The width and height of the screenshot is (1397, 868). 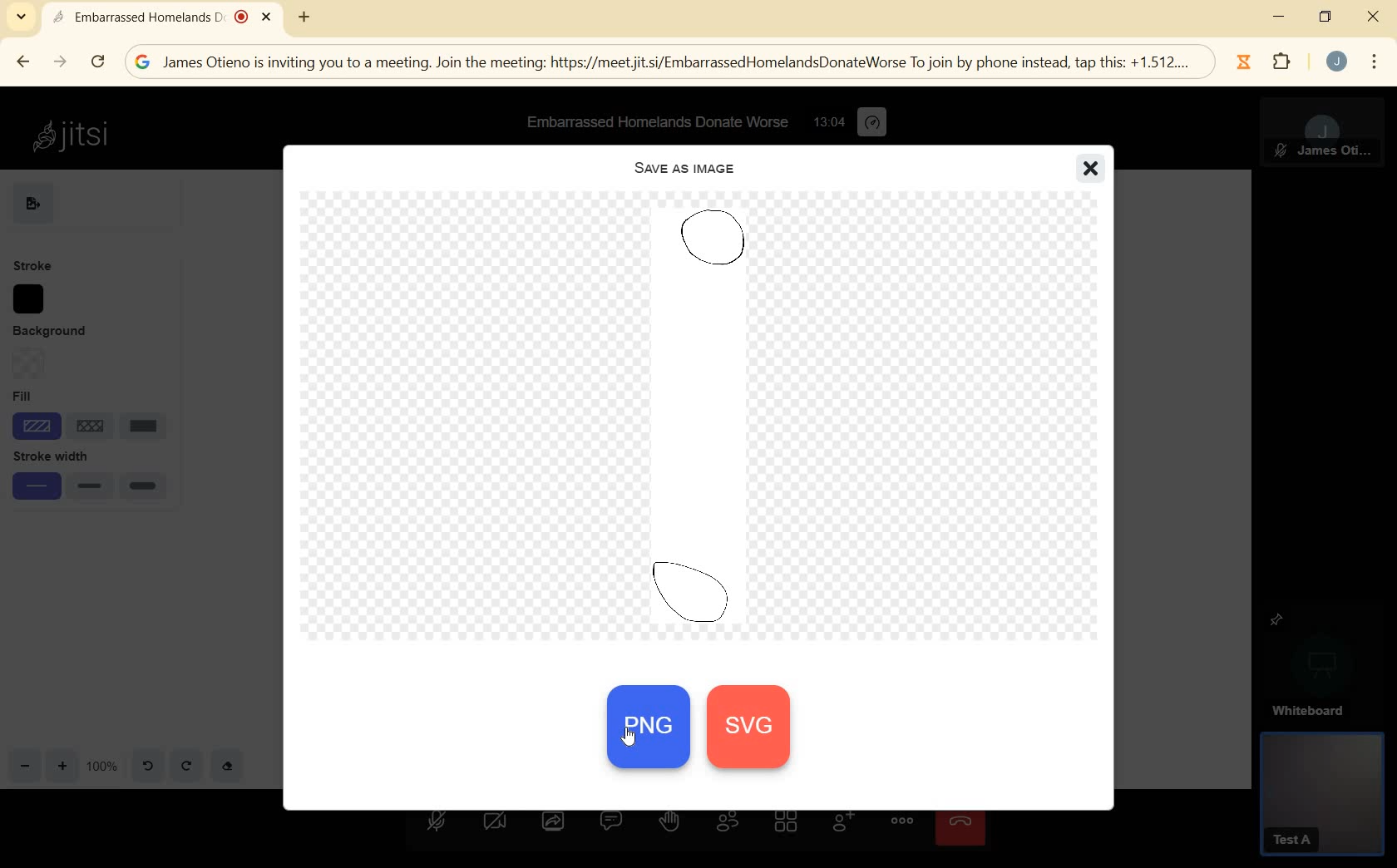 What do you see at coordinates (1091, 167) in the screenshot?
I see `close` at bounding box center [1091, 167].